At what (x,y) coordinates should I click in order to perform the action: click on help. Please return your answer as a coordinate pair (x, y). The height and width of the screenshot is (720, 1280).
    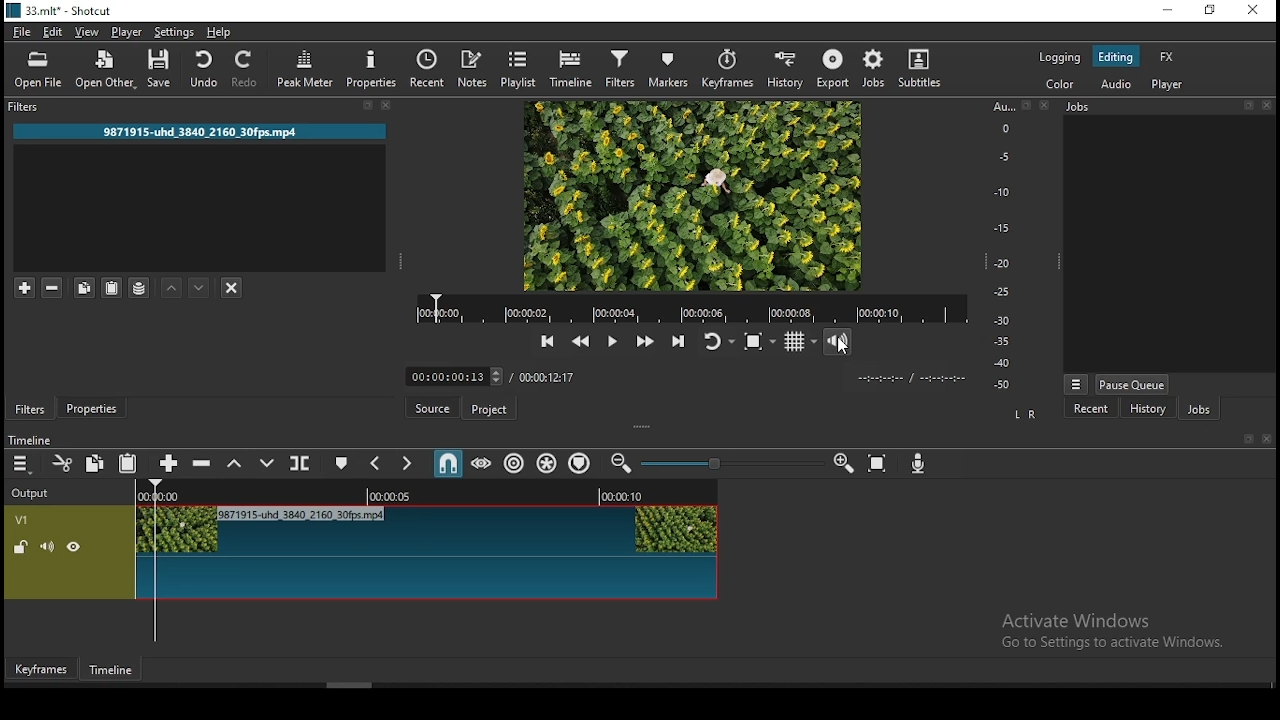
    Looking at the image, I should click on (223, 32).